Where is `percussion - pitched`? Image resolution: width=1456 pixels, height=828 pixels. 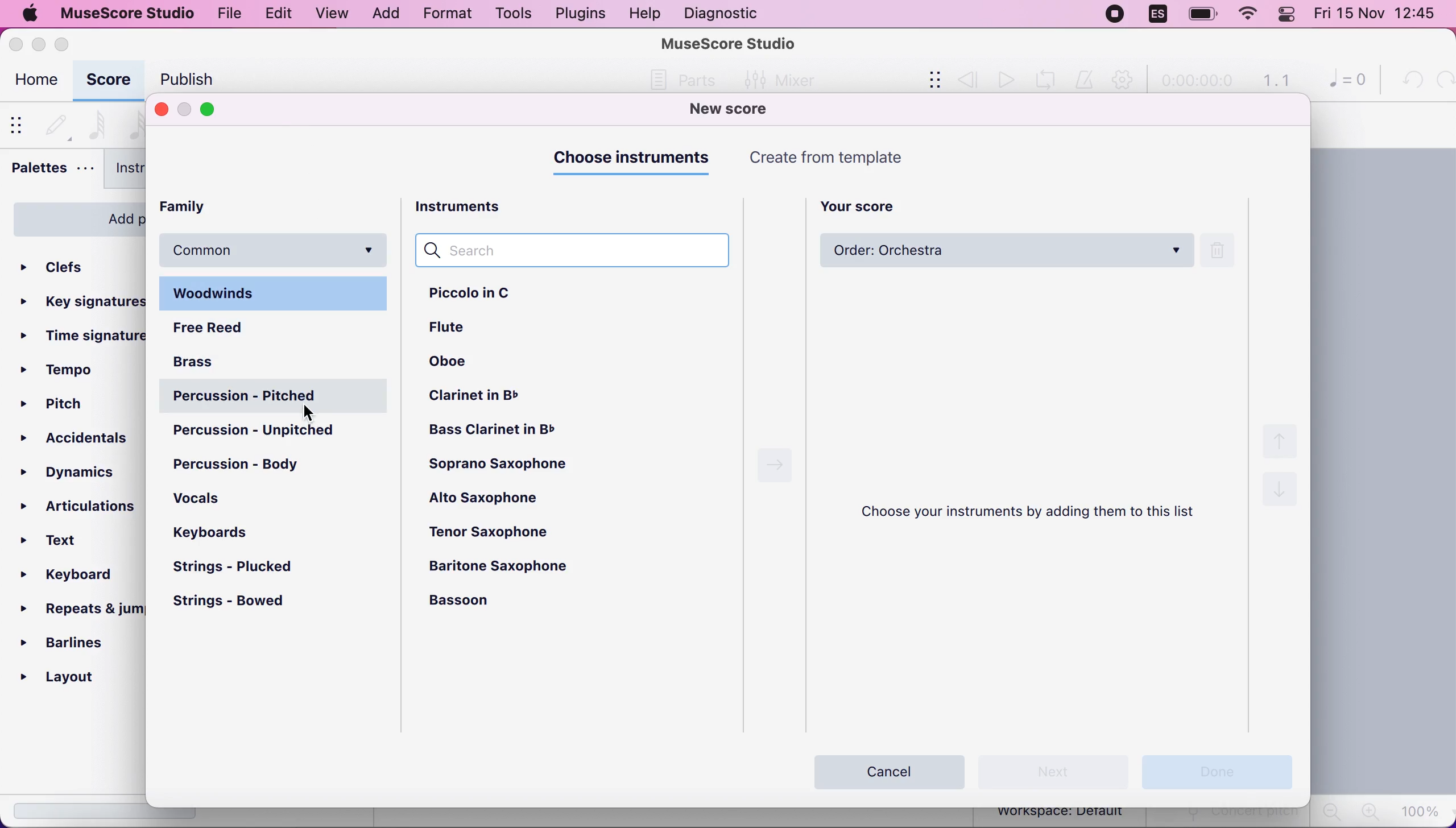 percussion - pitched is located at coordinates (276, 397).